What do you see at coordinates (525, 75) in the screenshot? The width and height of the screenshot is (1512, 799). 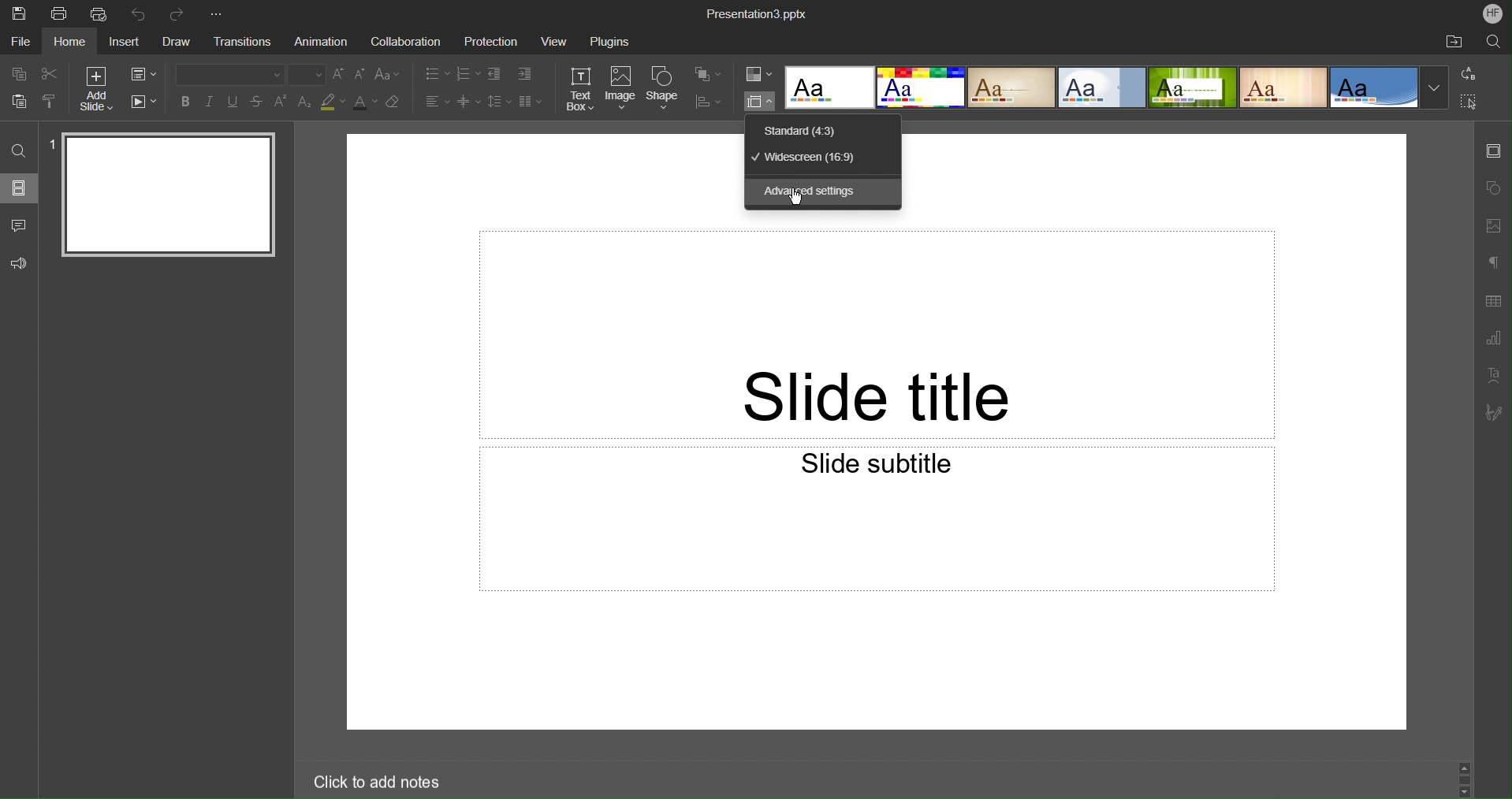 I see `Increase Indent` at bounding box center [525, 75].